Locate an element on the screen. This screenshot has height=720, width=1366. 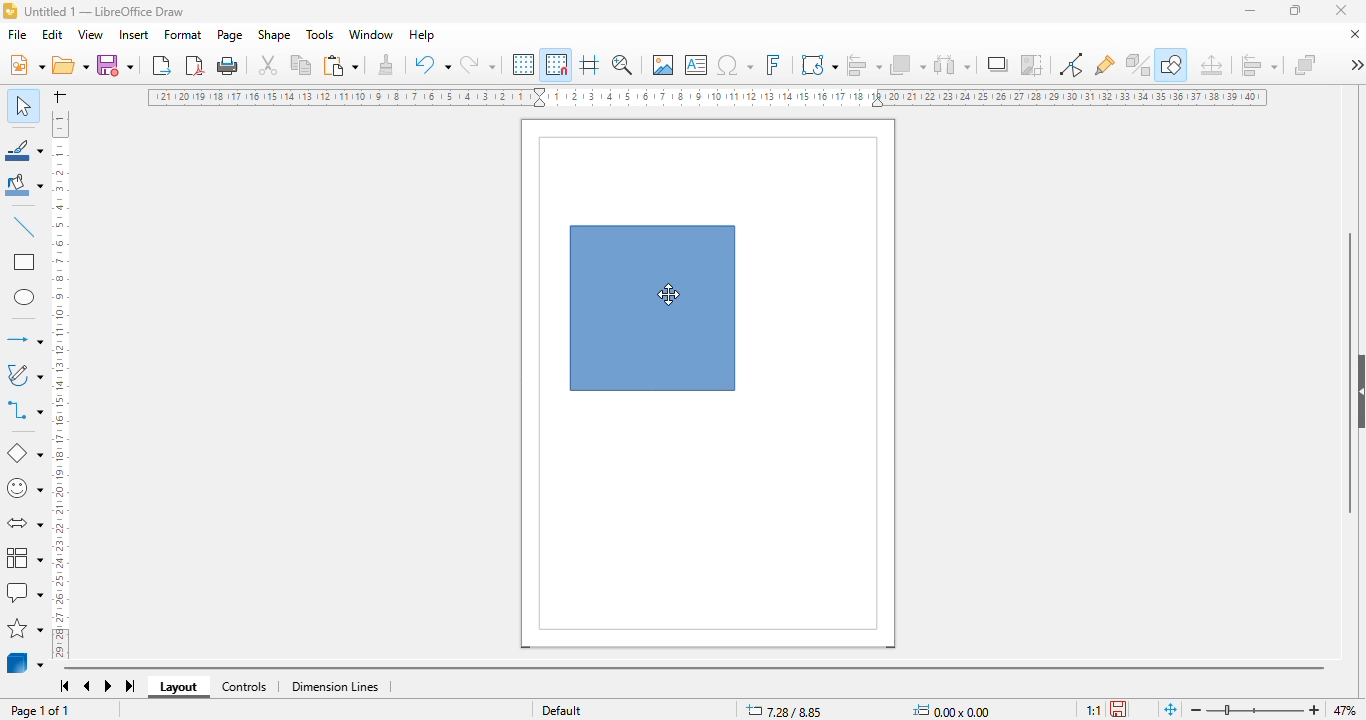
scroll to first sheet is located at coordinates (65, 686).